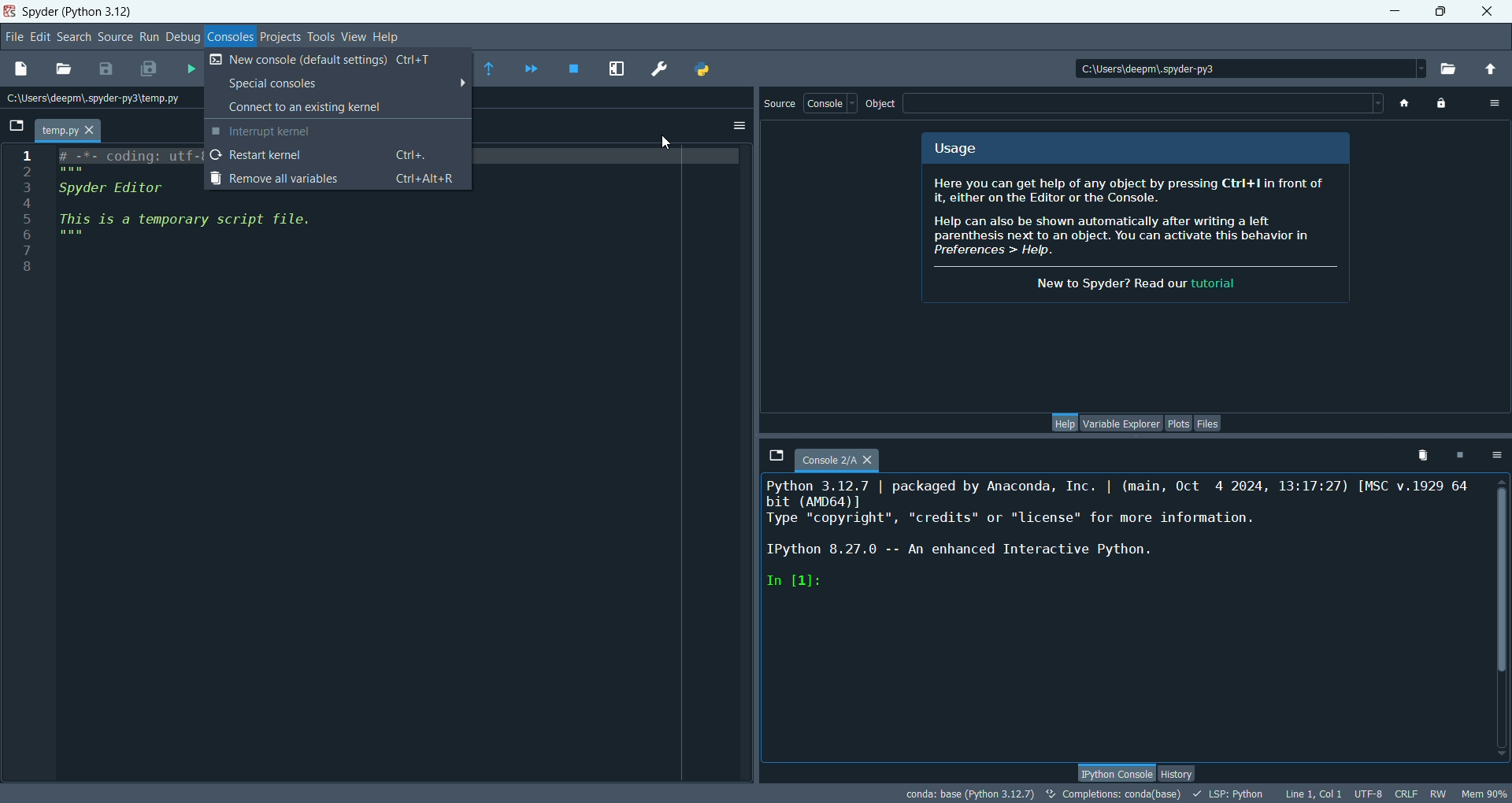  I want to click on source, so click(114, 39).